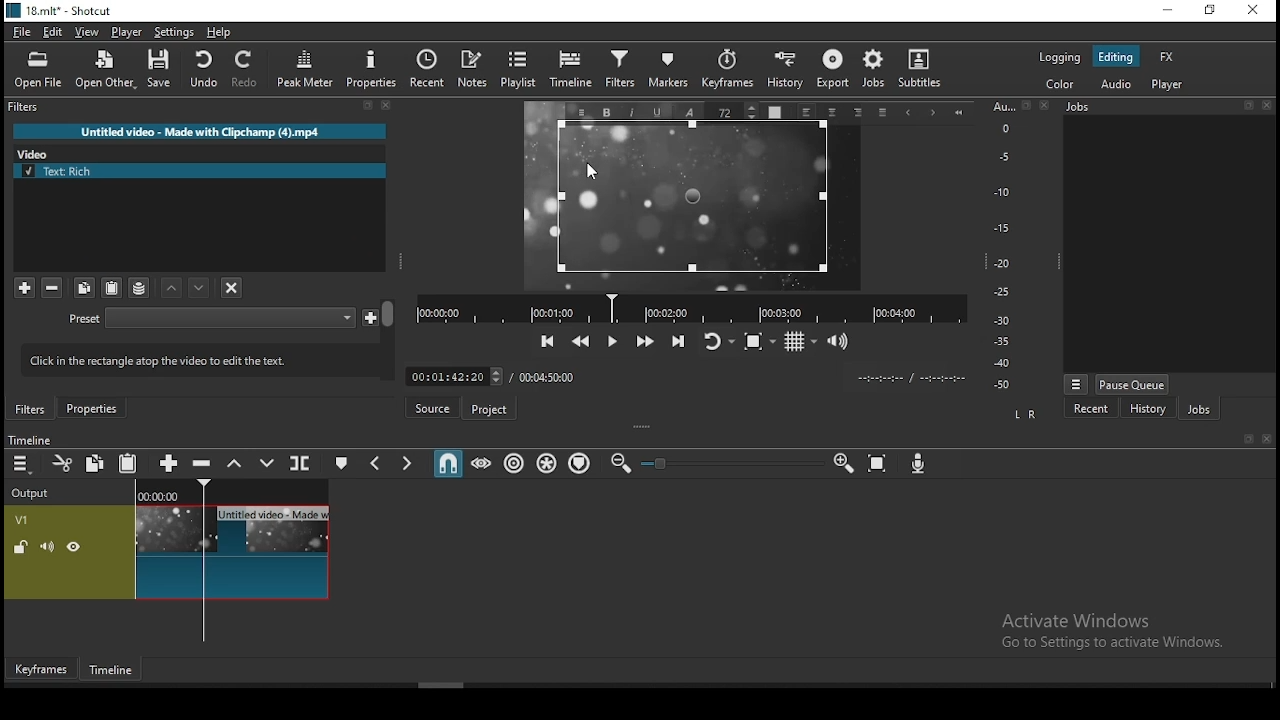 This screenshot has height=720, width=1280. I want to click on Menu, so click(581, 112).